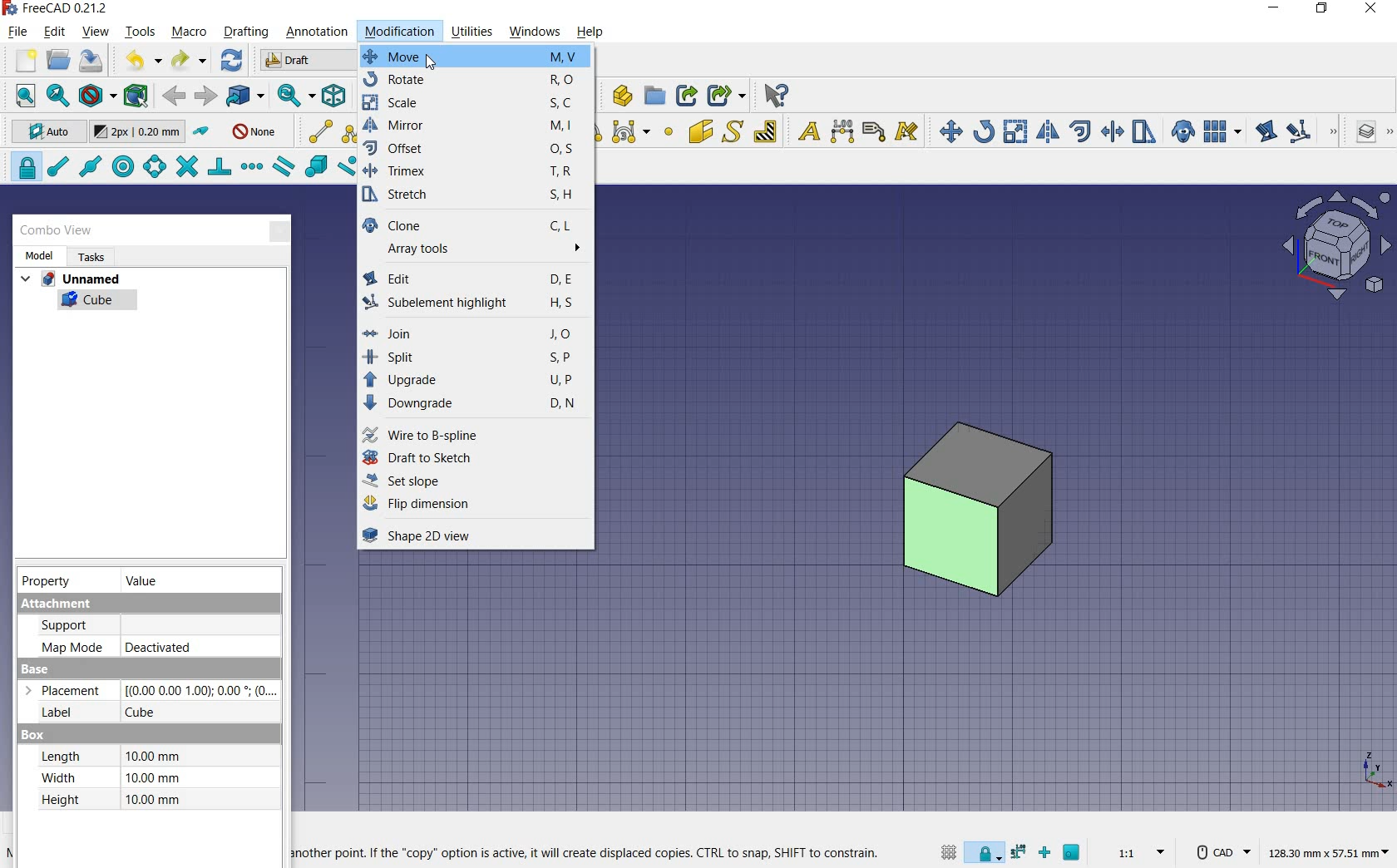  I want to click on mirror, so click(1049, 131).